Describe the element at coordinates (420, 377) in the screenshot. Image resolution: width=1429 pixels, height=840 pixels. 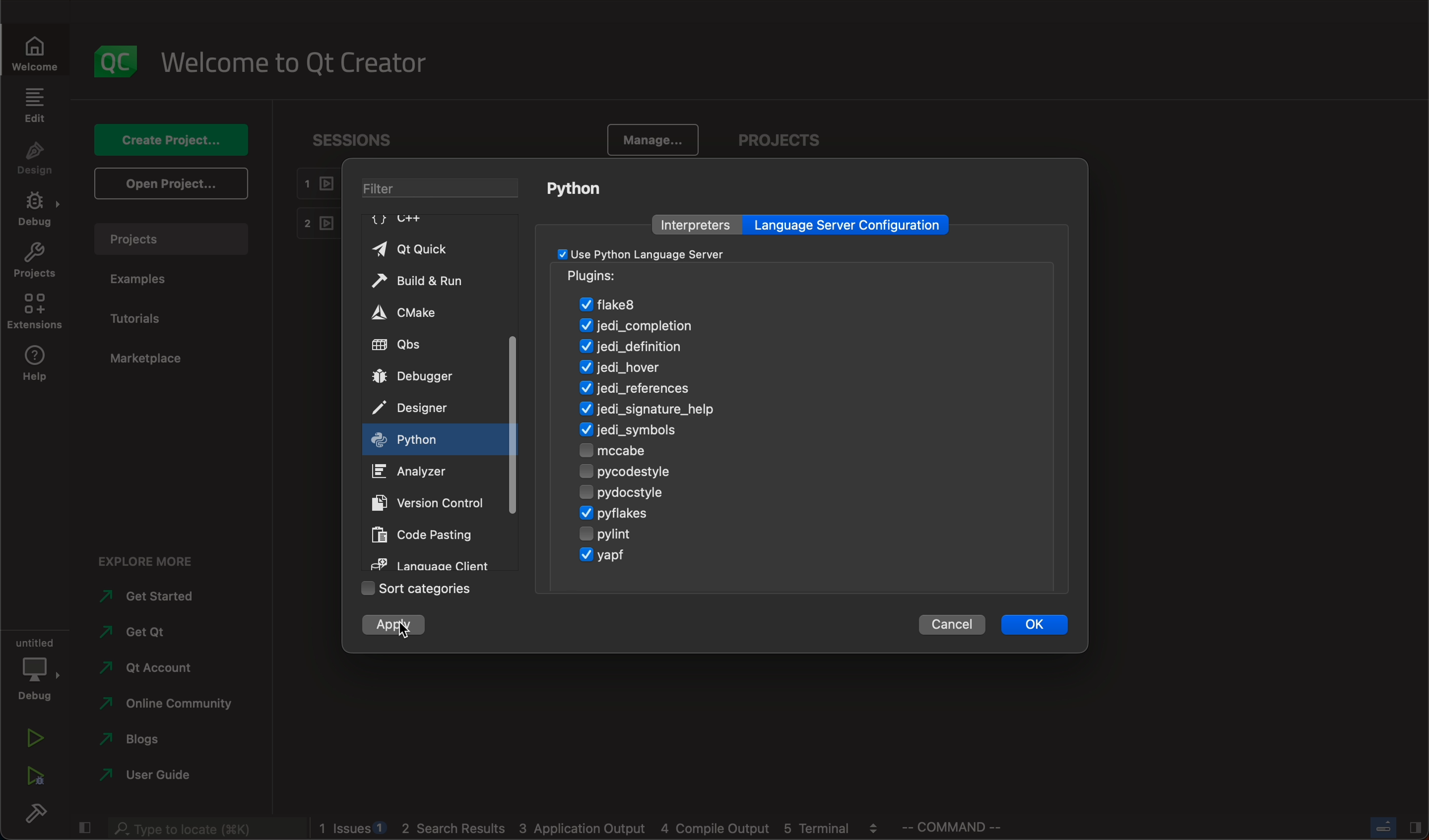
I see `debugger` at that location.